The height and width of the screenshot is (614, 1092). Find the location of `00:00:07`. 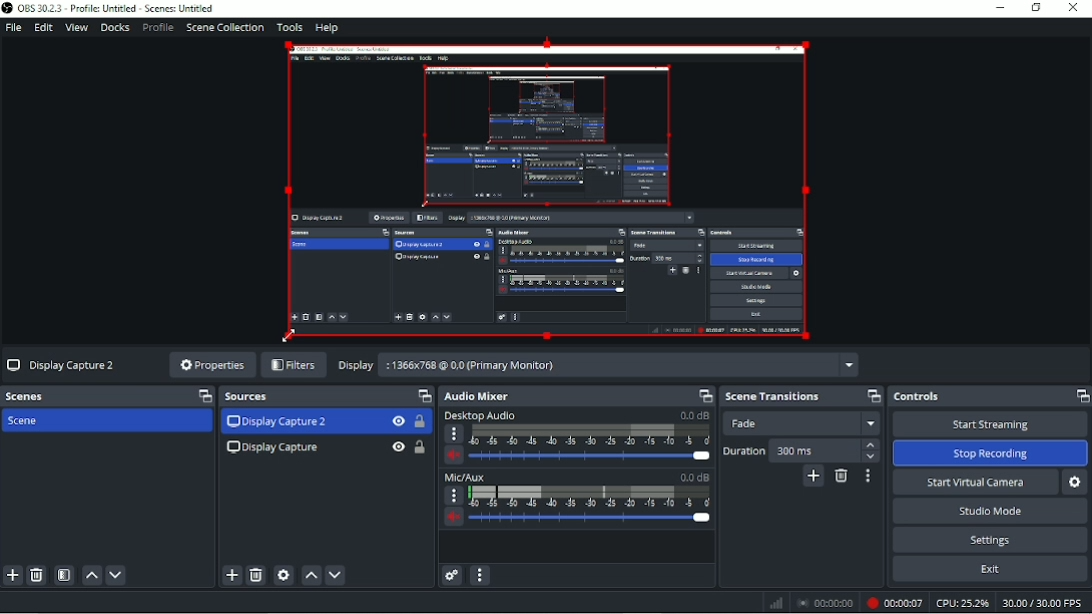

00:00:07 is located at coordinates (893, 601).